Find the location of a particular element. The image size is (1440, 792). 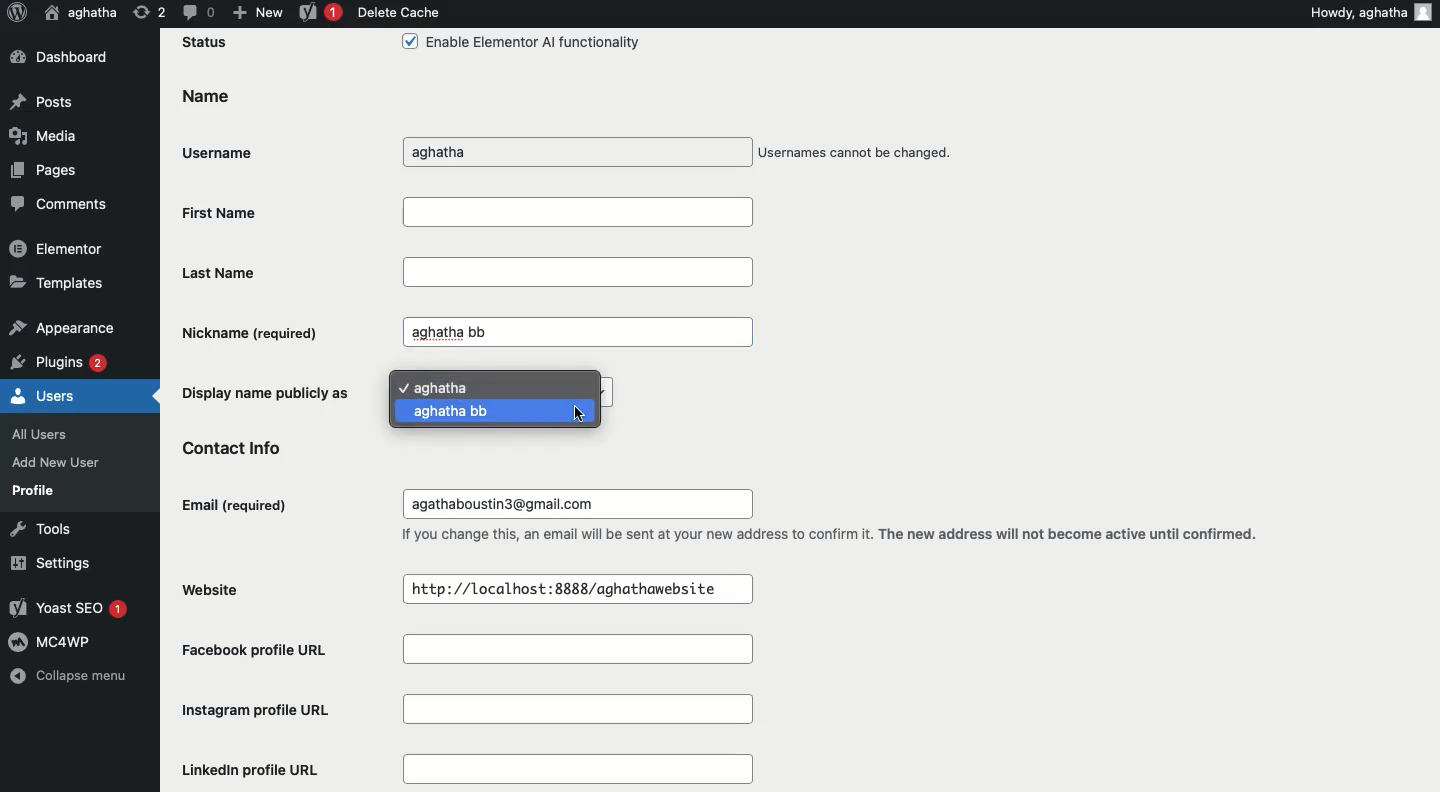

LinkedIn profile URL is located at coordinates (466, 769).